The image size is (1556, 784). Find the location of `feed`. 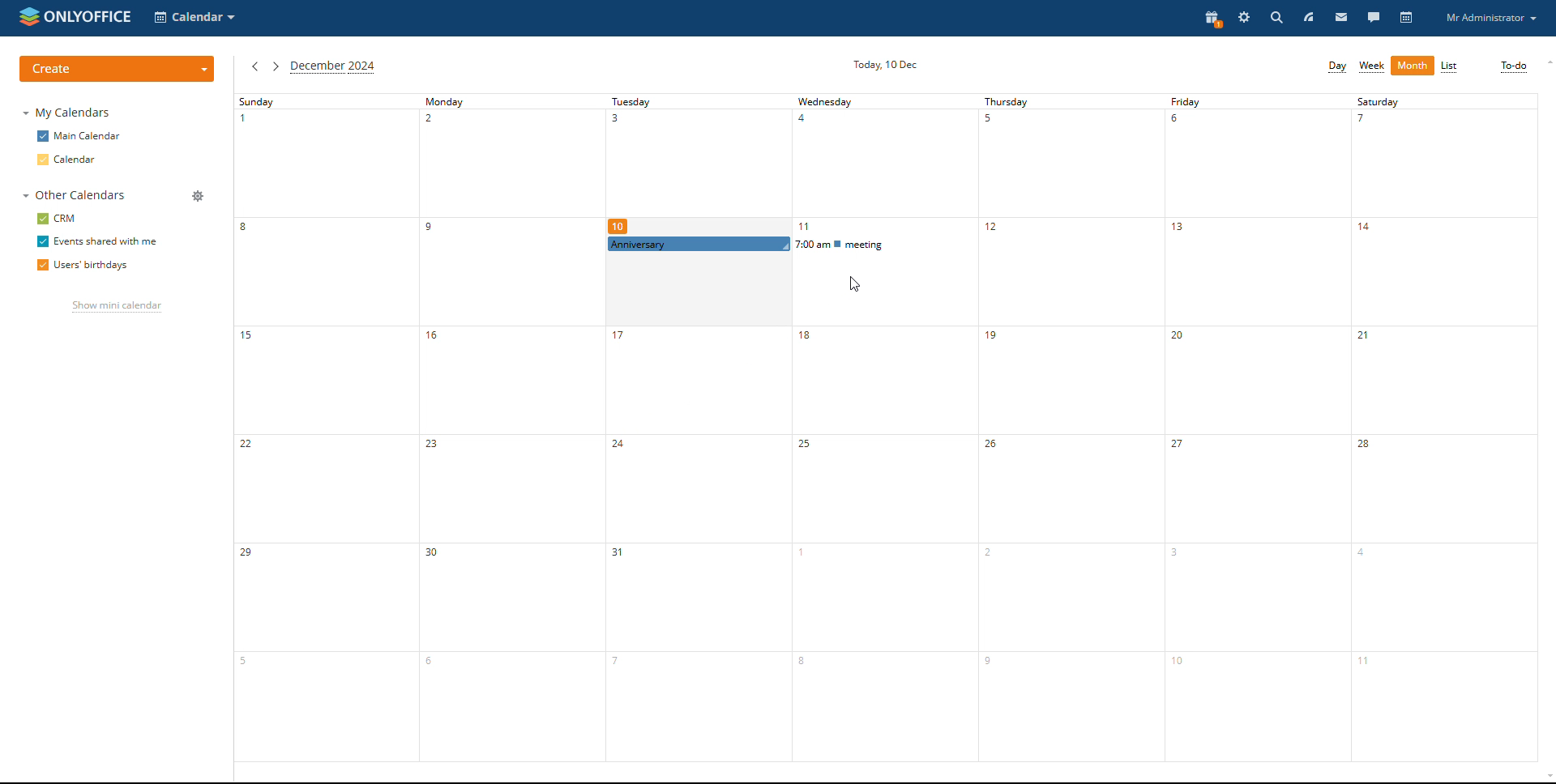

feed is located at coordinates (1307, 19).